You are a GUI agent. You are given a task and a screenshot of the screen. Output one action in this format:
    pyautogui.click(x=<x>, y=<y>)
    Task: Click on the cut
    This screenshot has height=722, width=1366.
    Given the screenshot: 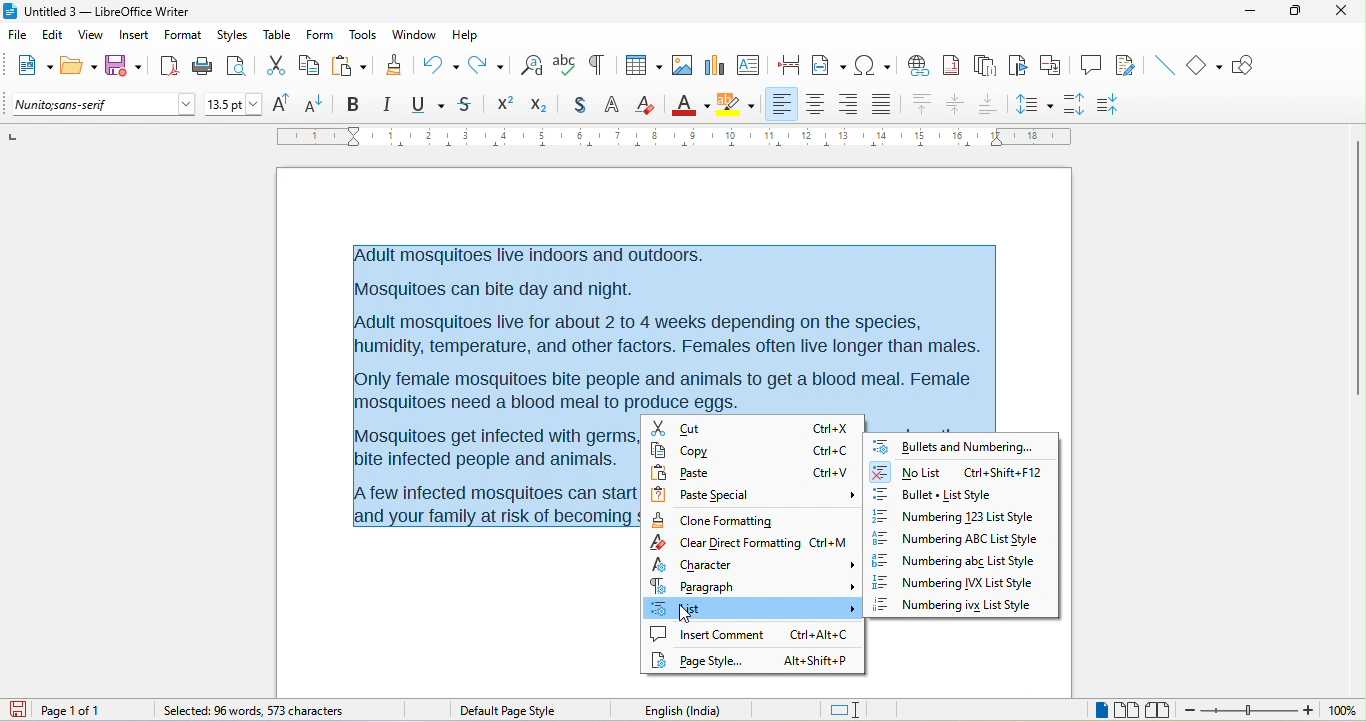 What is the action you would take?
    pyautogui.click(x=753, y=428)
    